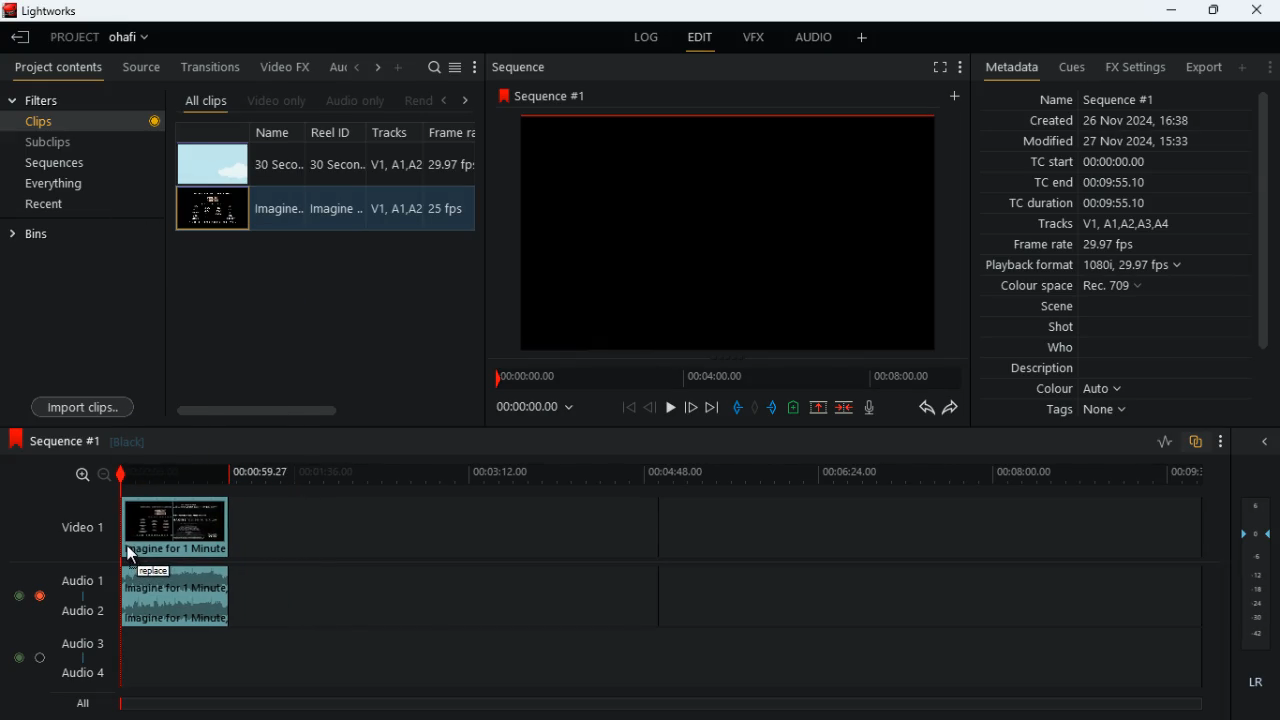 Image resolution: width=1280 pixels, height=720 pixels. Describe the element at coordinates (86, 405) in the screenshot. I see `import clips` at that location.